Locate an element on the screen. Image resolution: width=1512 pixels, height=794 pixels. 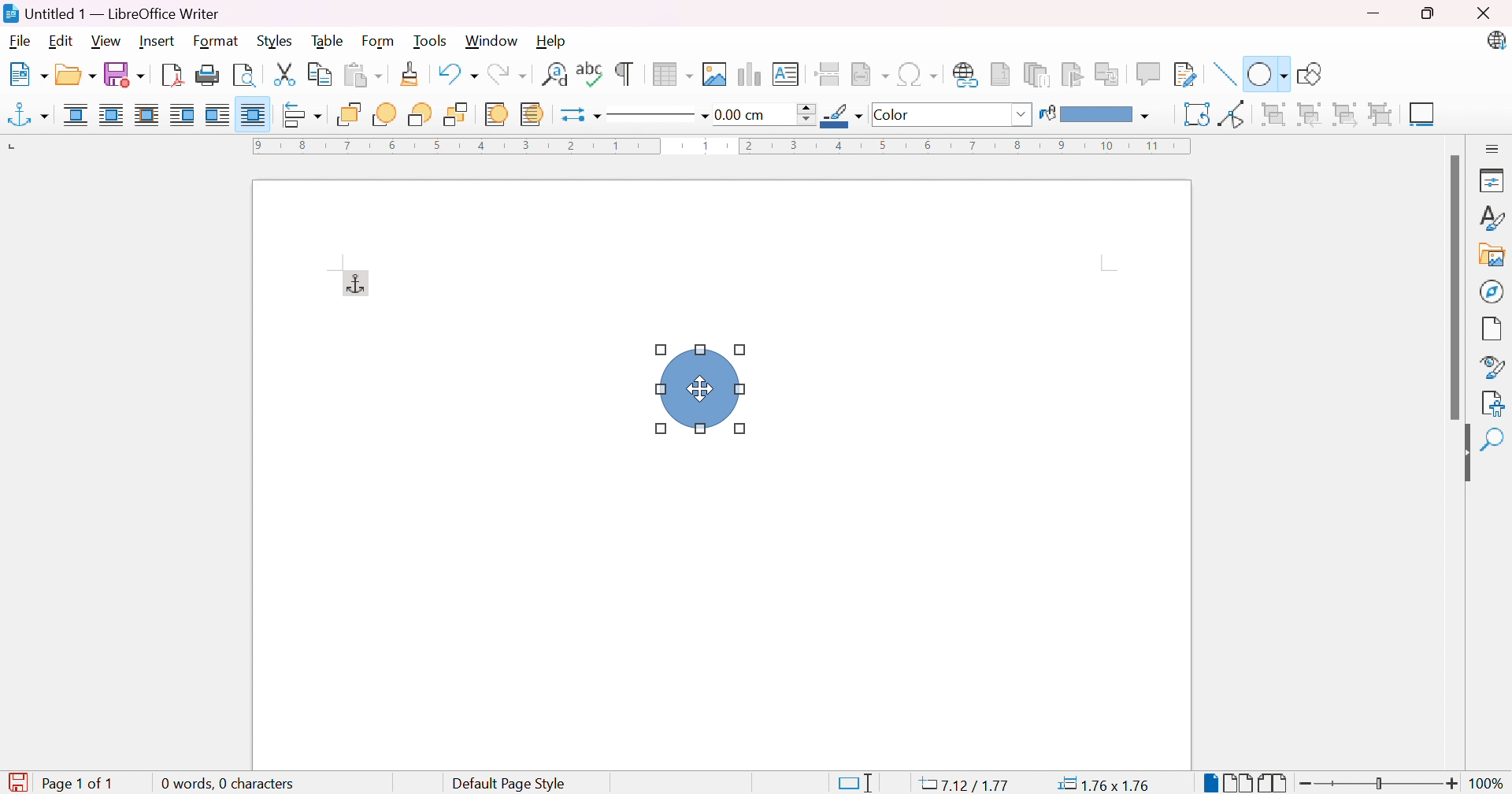
Cursor is located at coordinates (704, 389).